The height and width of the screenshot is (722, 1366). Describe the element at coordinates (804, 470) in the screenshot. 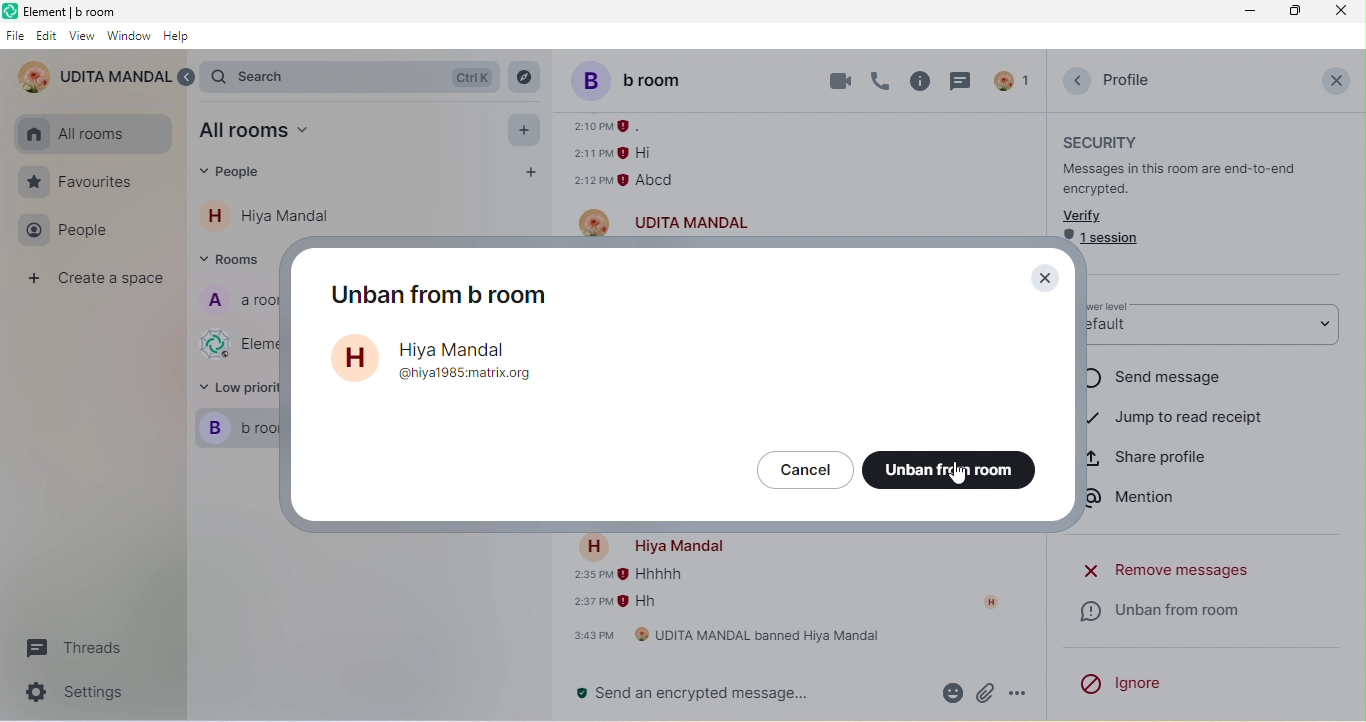

I see `cancel` at that location.